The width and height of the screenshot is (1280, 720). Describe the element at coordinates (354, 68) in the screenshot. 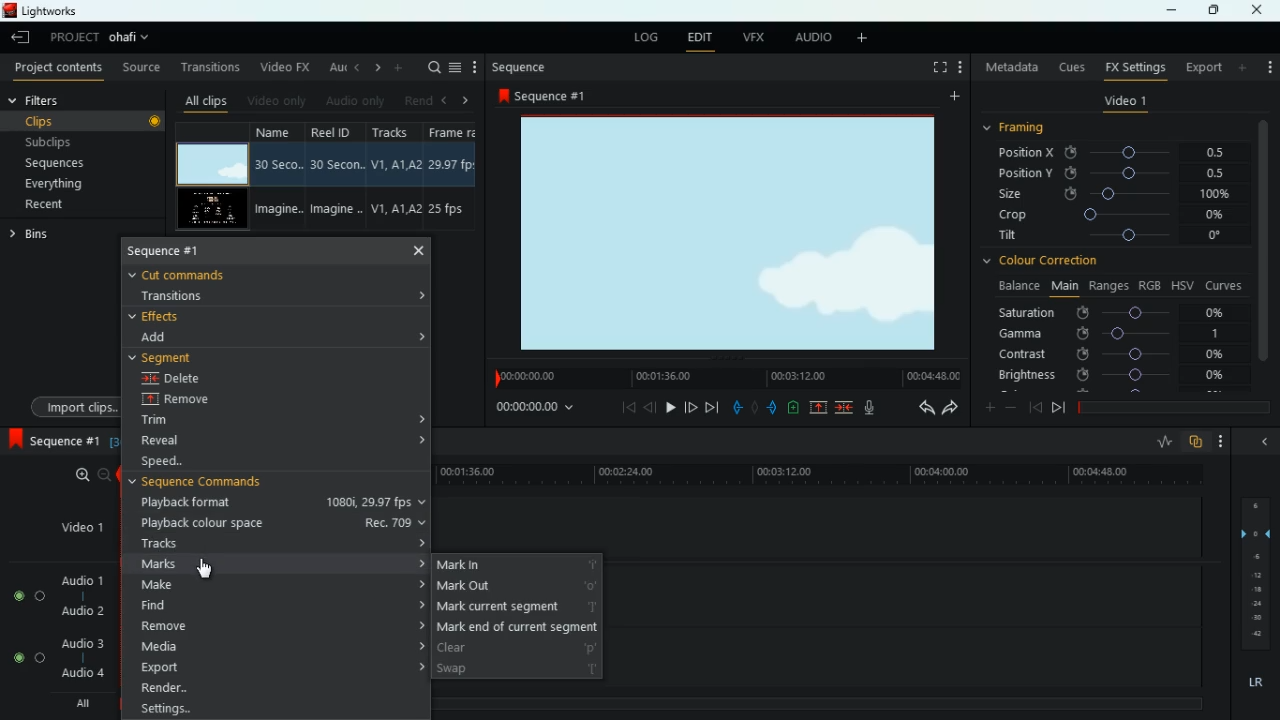

I see `left` at that location.